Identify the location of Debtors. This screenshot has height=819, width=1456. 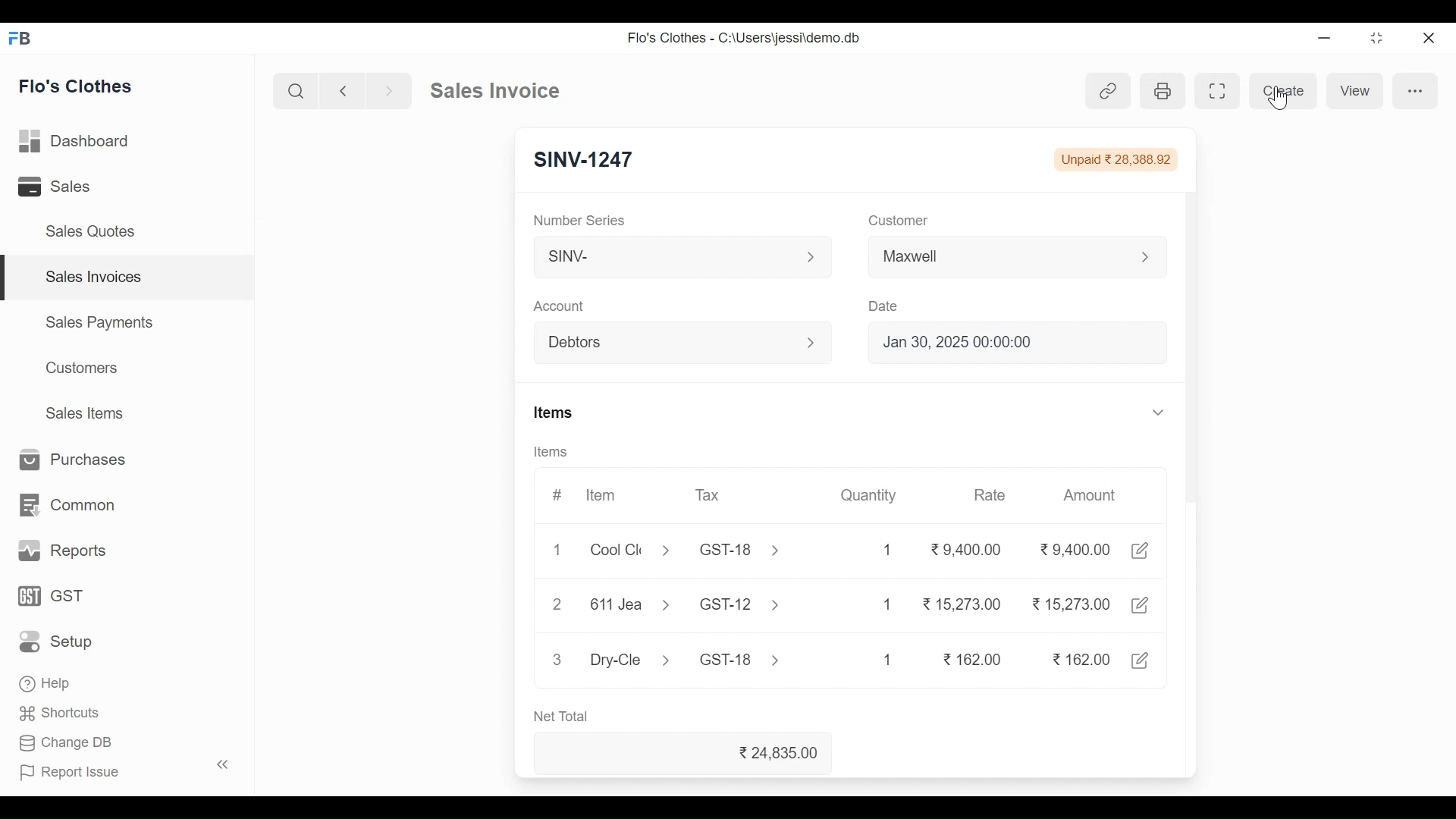
(670, 344).